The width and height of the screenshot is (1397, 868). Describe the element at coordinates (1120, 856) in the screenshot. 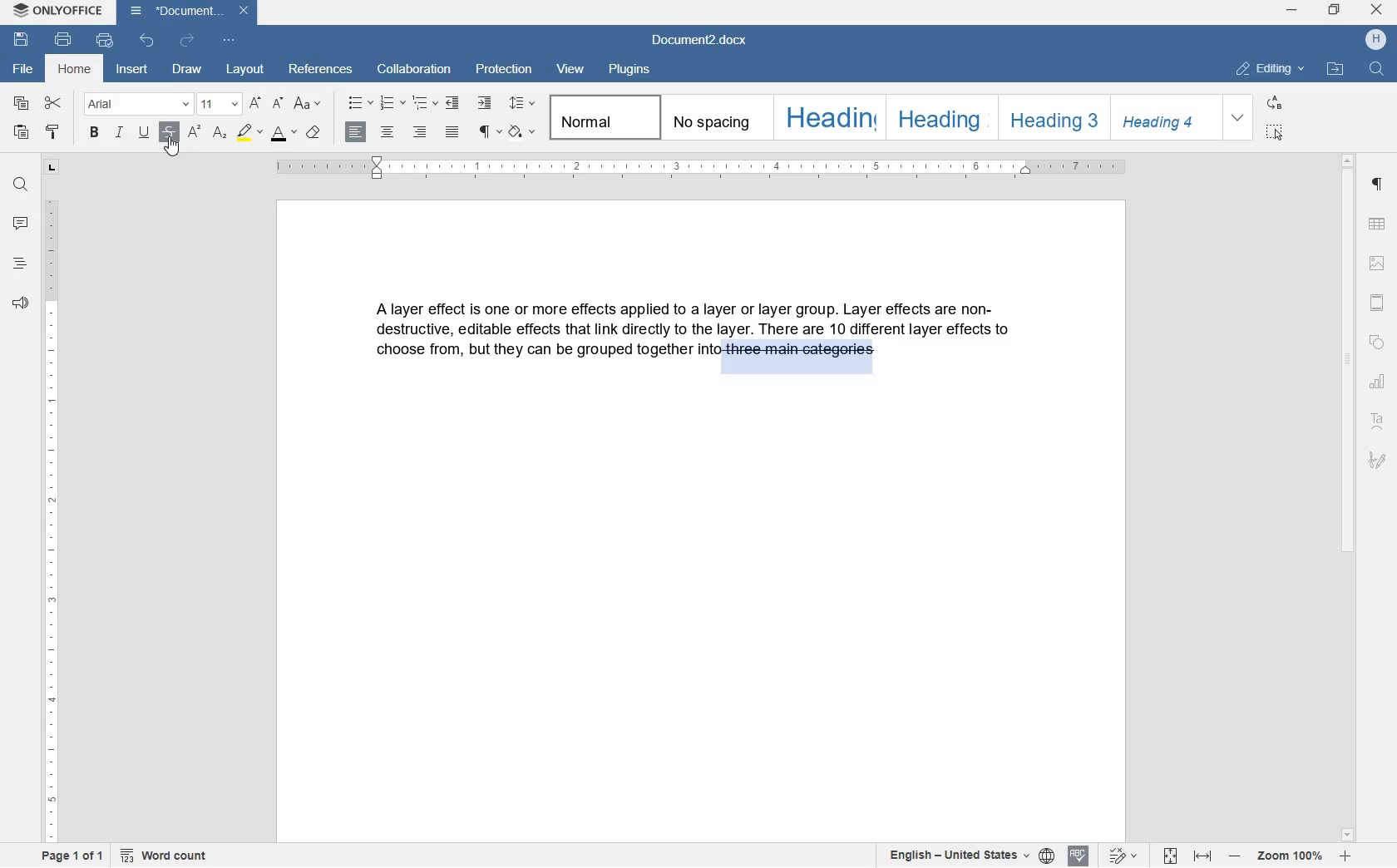

I see `text change` at that location.